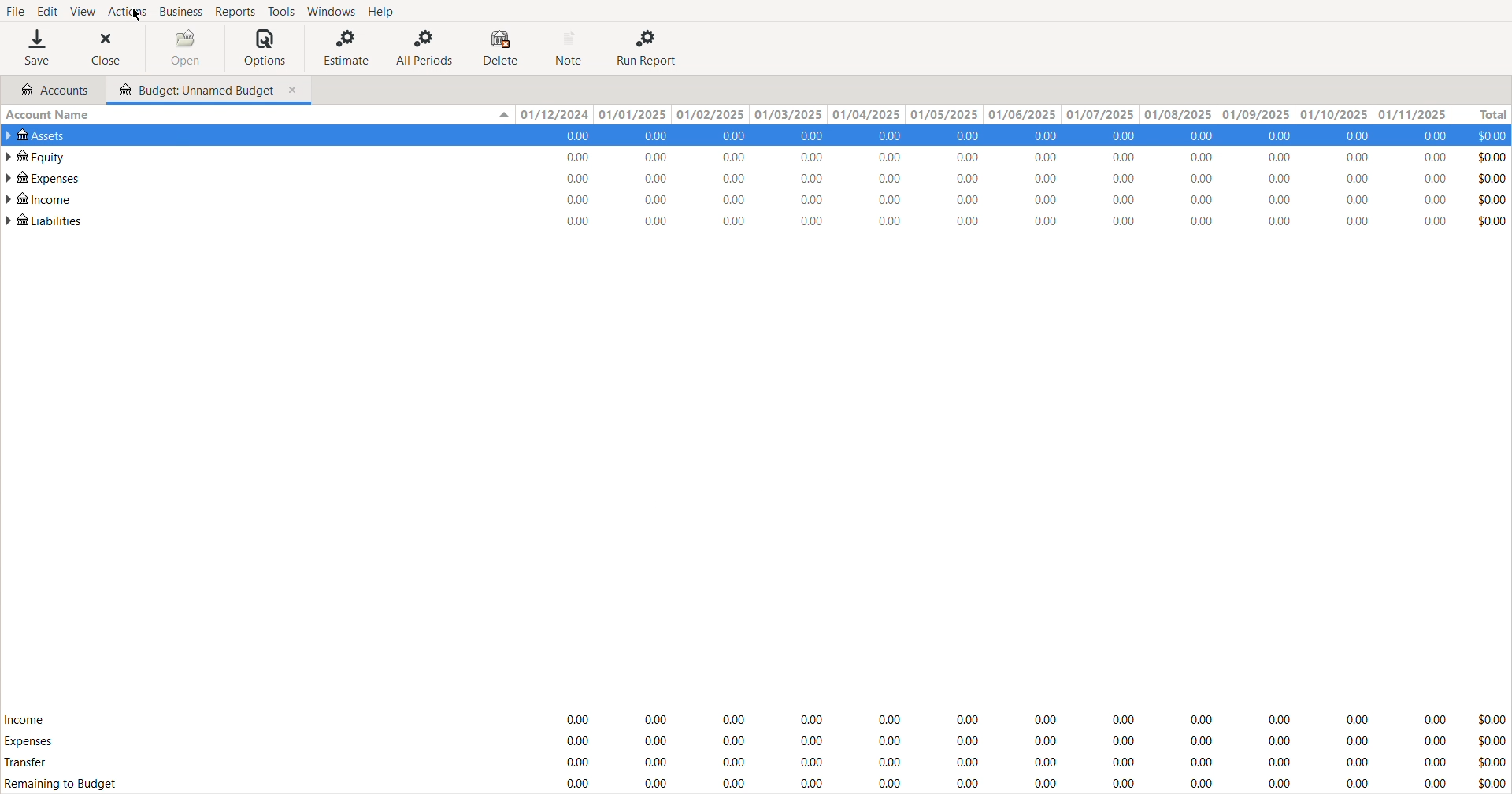  I want to click on Income, so click(24, 718).